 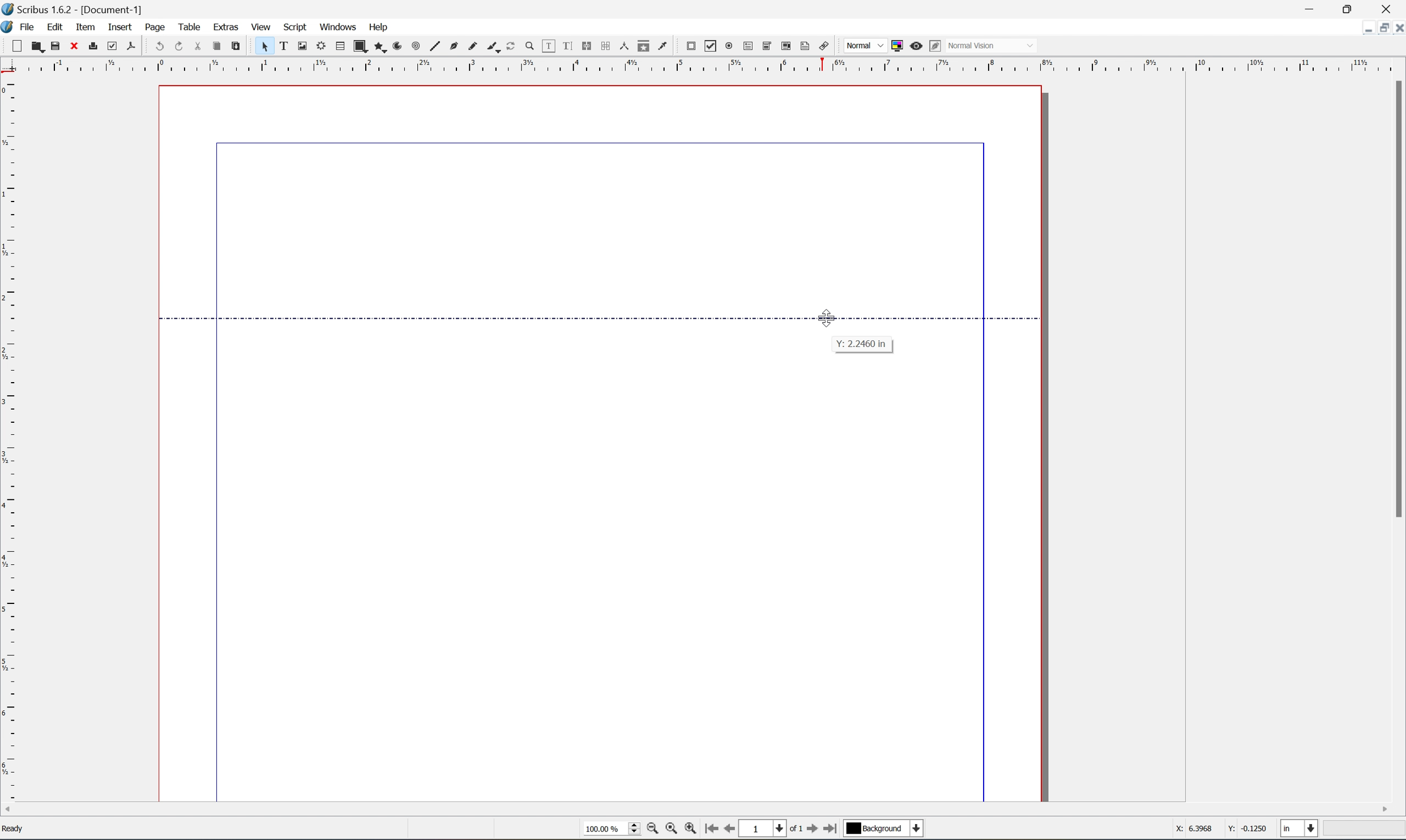 I want to click on normal, so click(x=866, y=47).